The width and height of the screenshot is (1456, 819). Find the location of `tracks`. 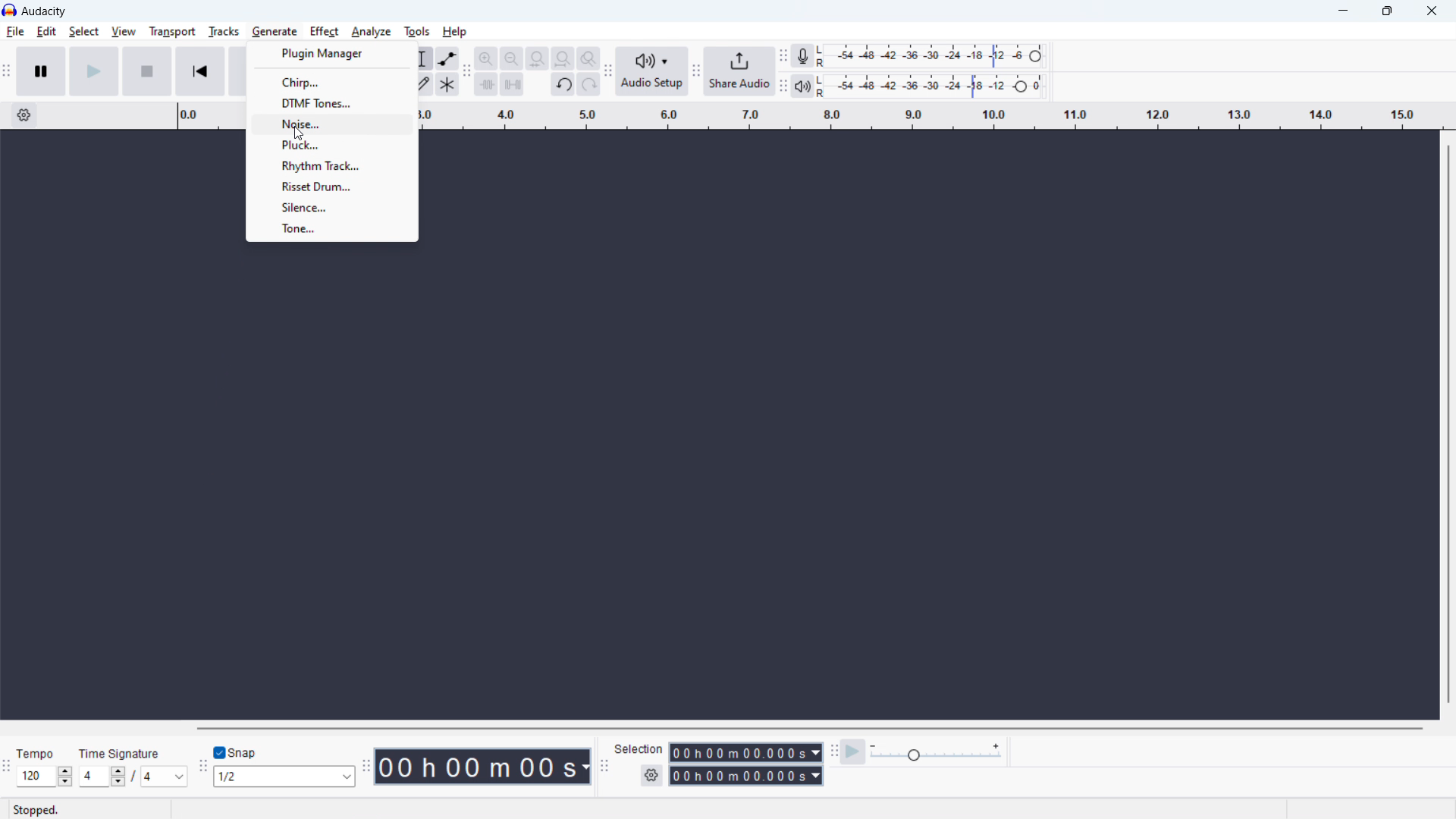

tracks is located at coordinates (223, 32).